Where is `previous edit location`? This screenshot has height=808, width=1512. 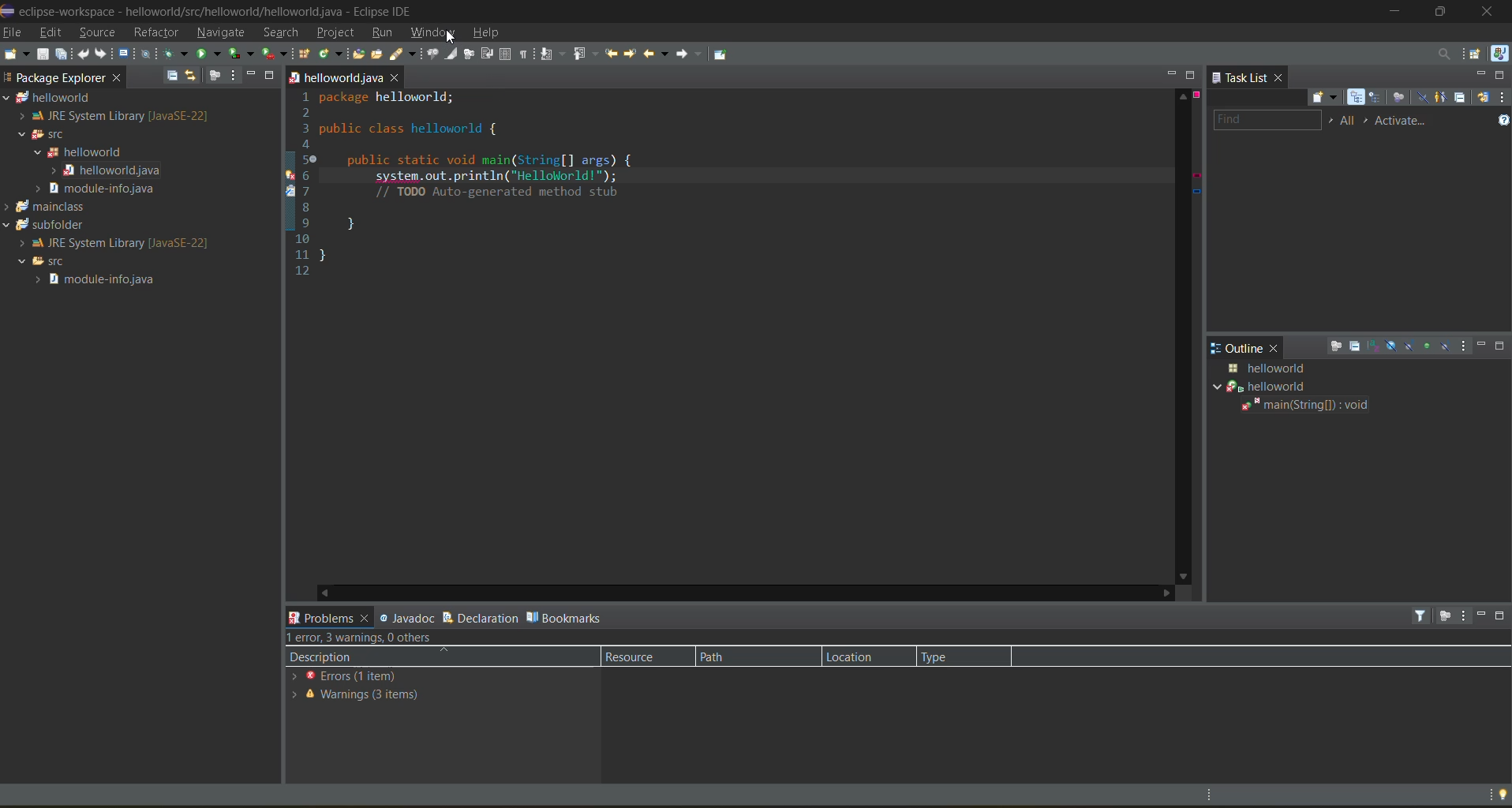 previous edit location is located at coordinates (612, 53).